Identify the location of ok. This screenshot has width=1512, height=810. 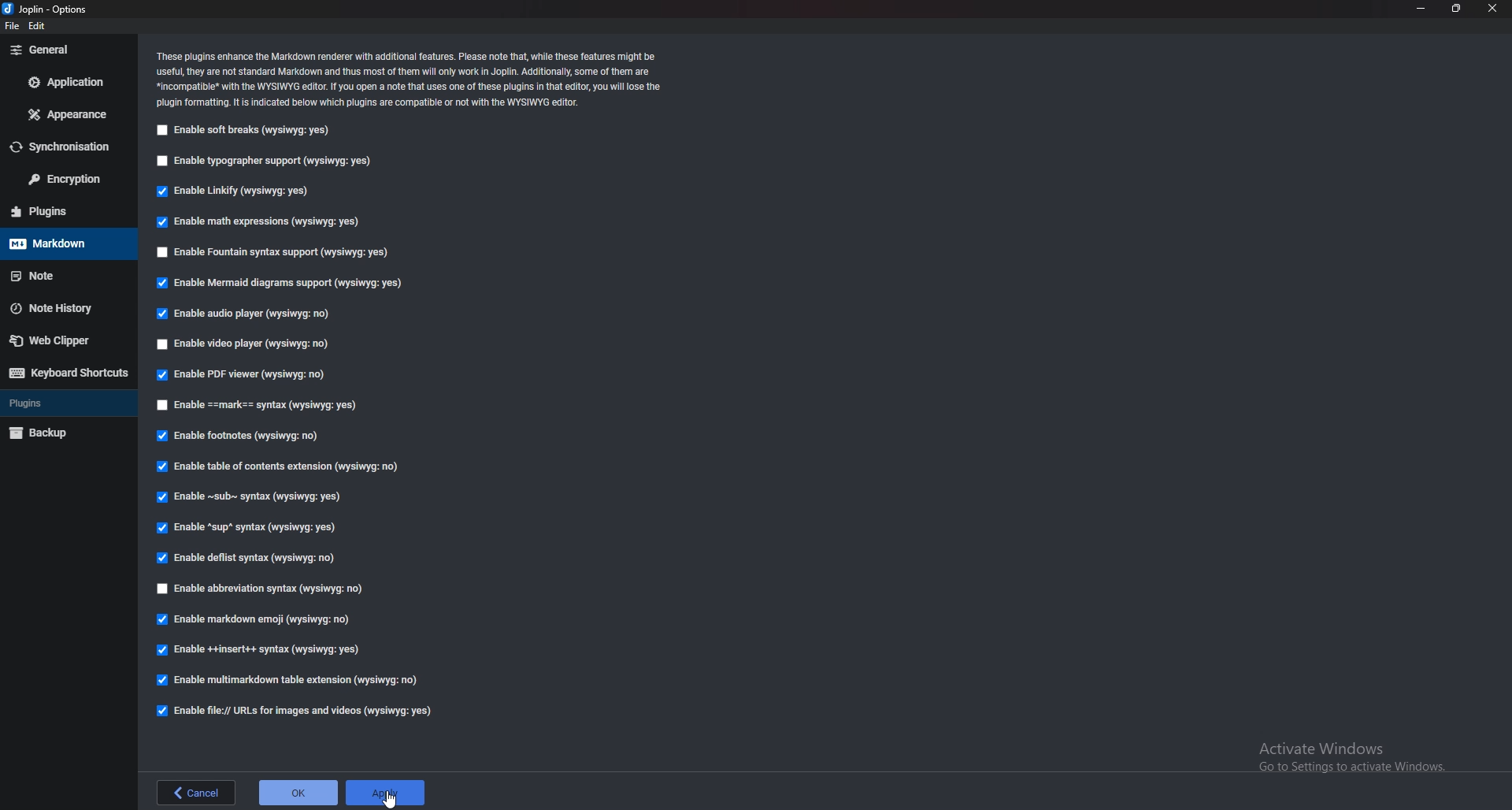
(298, 794).